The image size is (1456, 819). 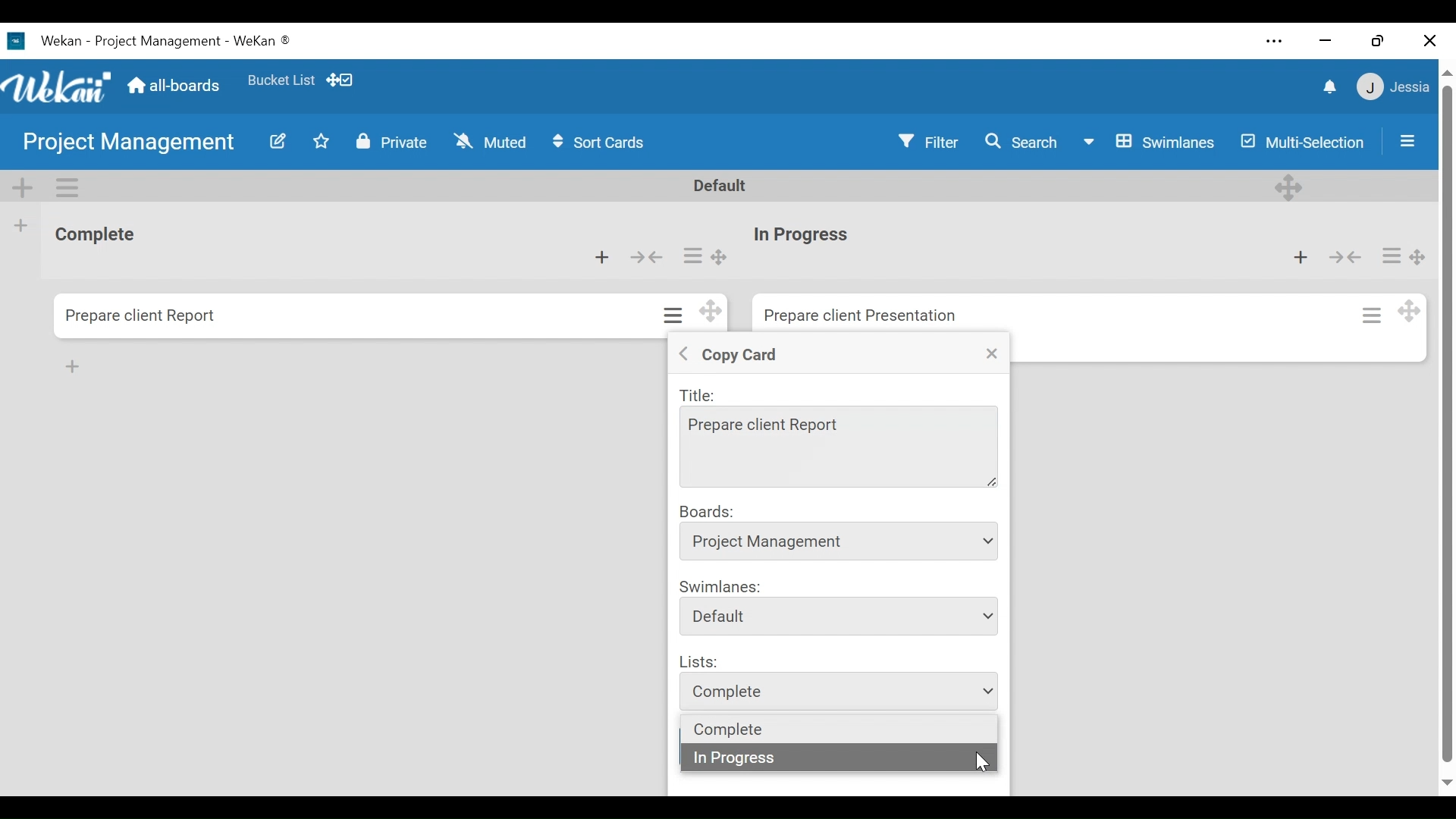 What do you see at coordinates (654, 257) in the screenshot?
I see `Collapse` at bounding box center [654, 257].